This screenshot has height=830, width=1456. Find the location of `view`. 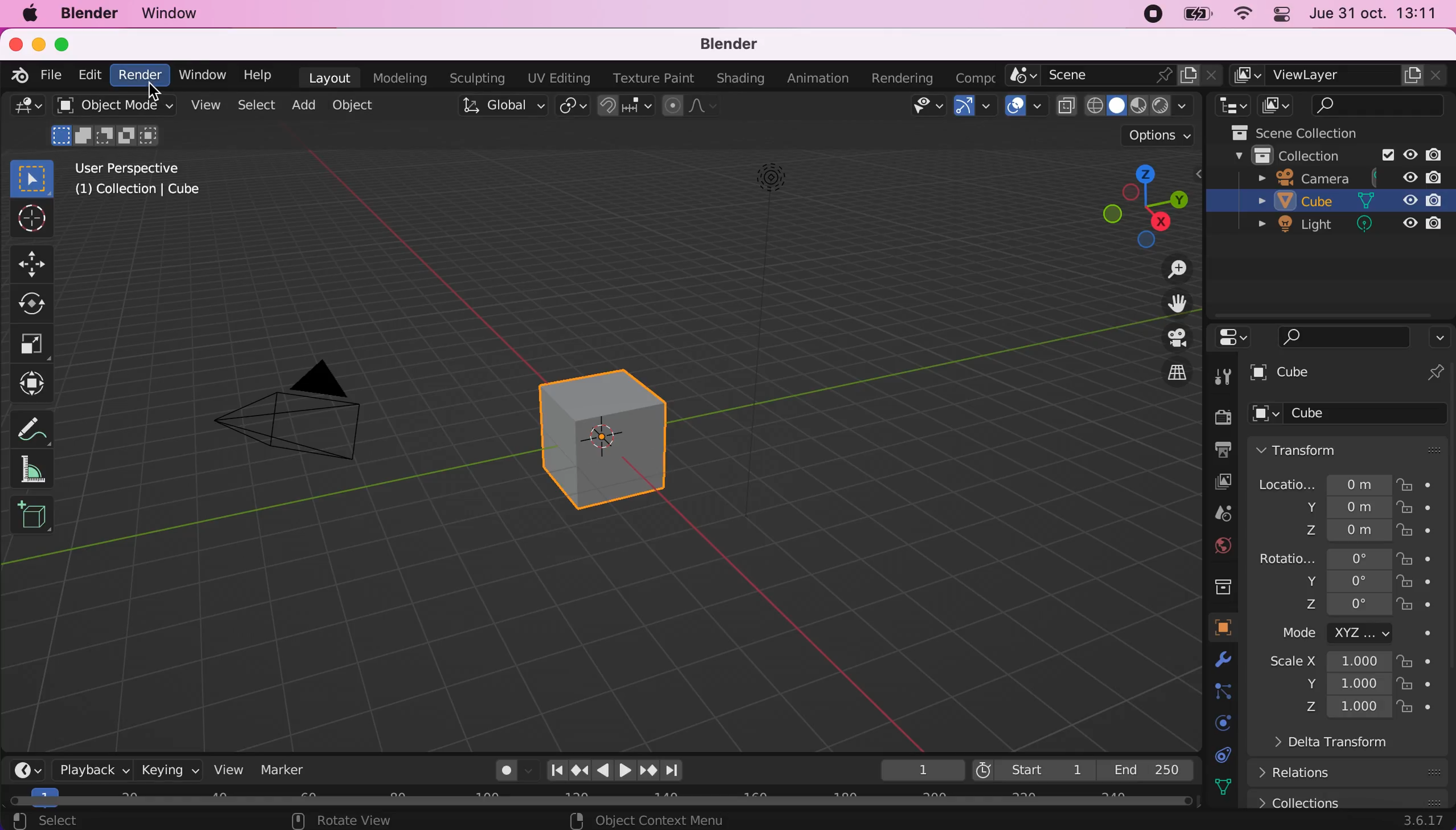

view is located at coordinates (234, 771).